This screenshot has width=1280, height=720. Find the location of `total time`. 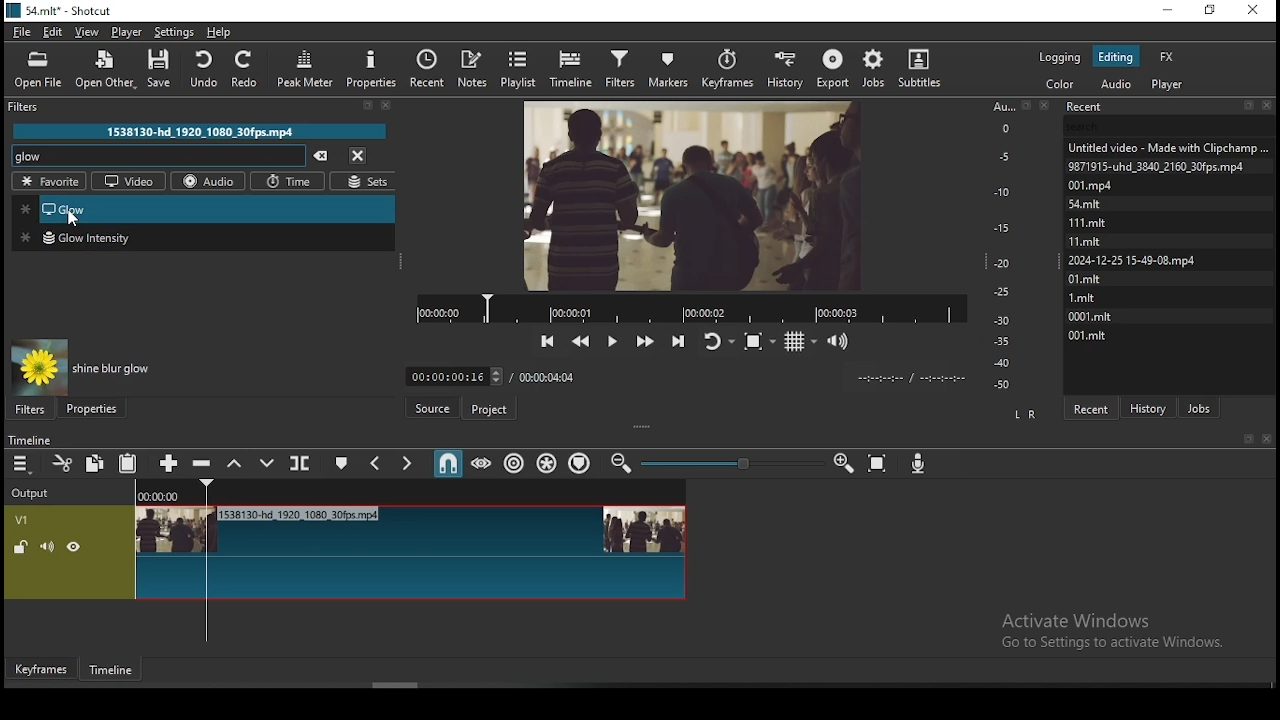

total time is located at coordinates (548, 376).